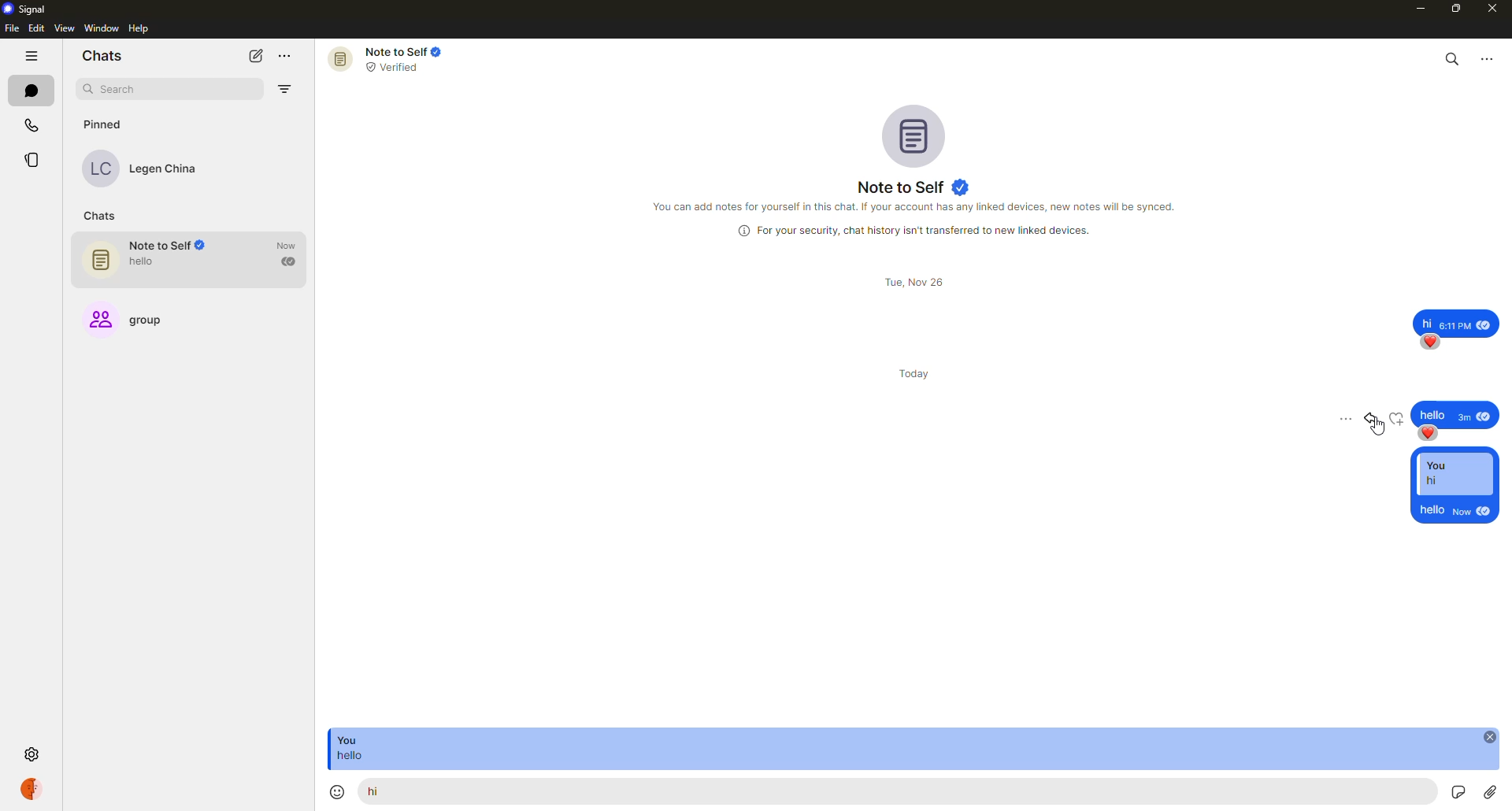 The height and width of the screenshot is (811, 1512). I want to click on signal, so click(26, 9).